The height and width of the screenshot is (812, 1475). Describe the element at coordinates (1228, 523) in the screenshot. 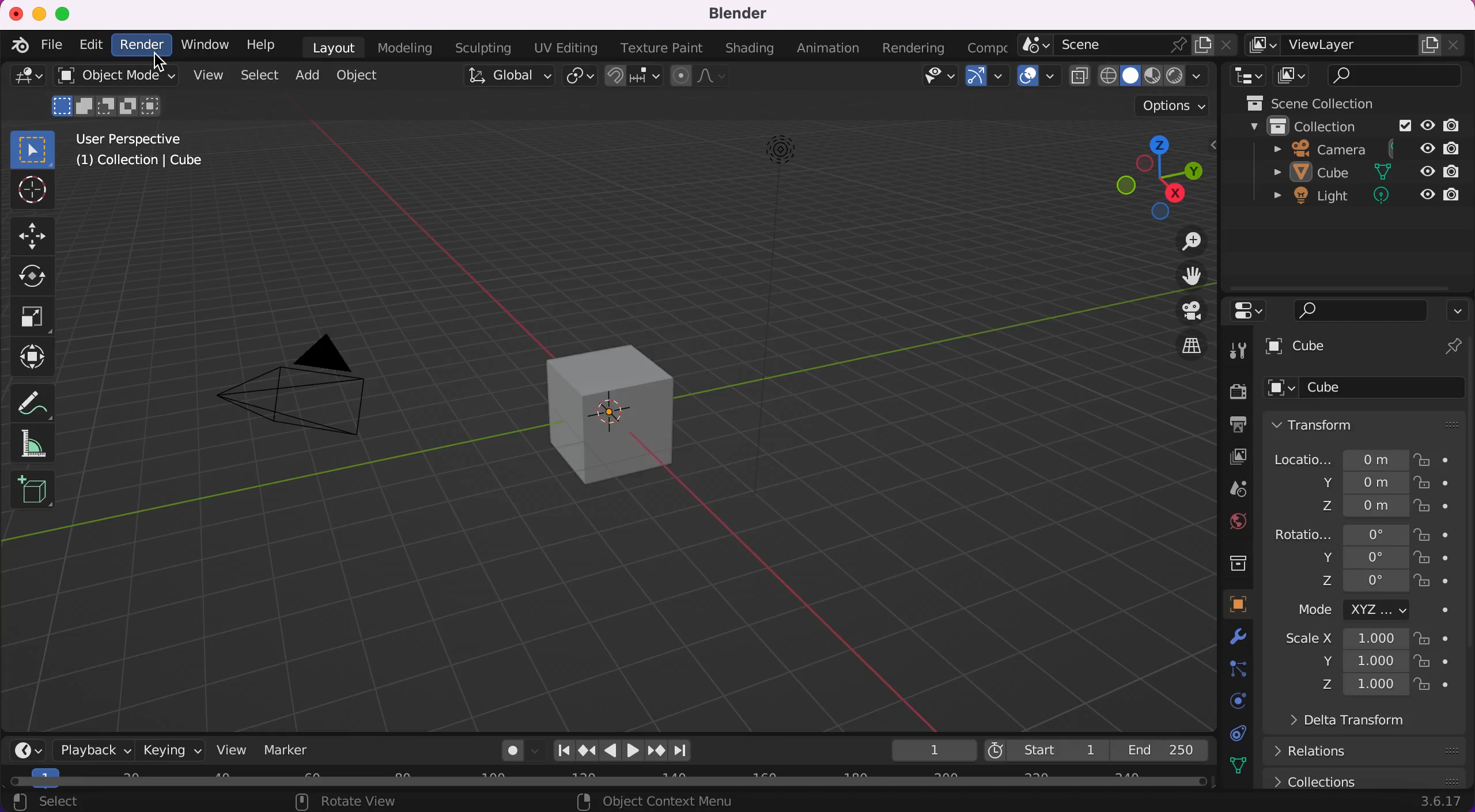

I see `world` at that location.